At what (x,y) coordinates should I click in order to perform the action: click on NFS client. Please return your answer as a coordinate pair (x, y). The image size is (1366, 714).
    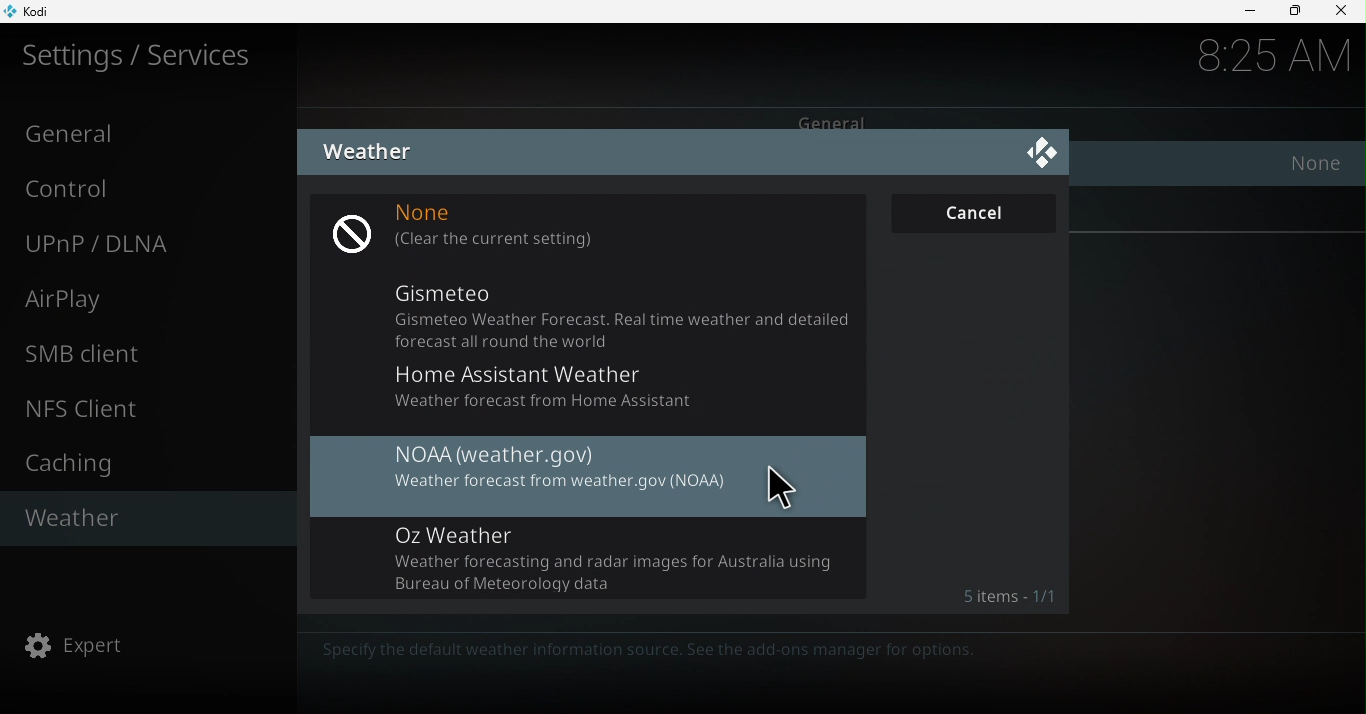
    Looking at the image, I should click on (146, 405).